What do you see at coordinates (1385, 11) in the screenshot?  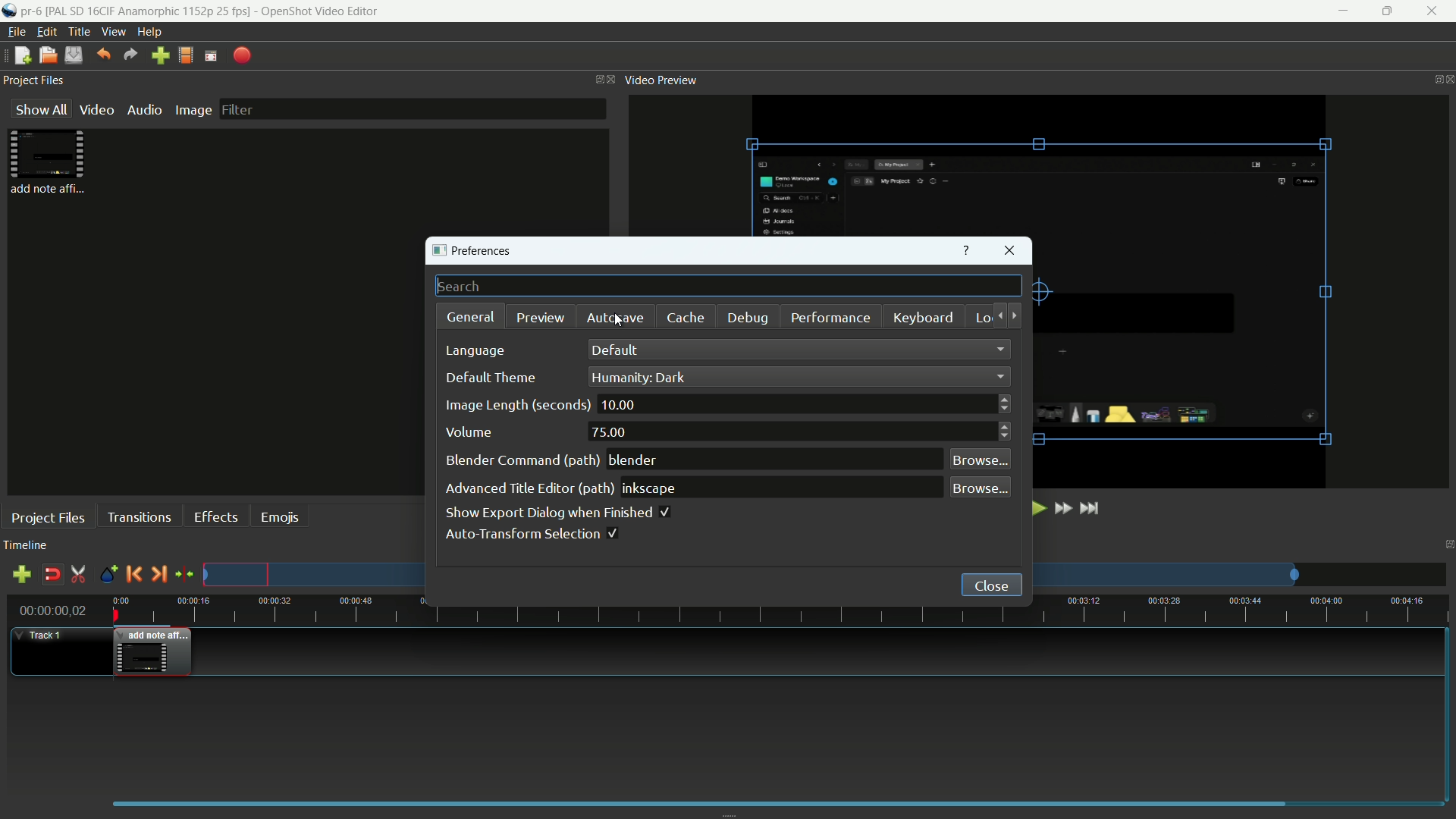 I see `maximize` at bounding box center [1385, 11].